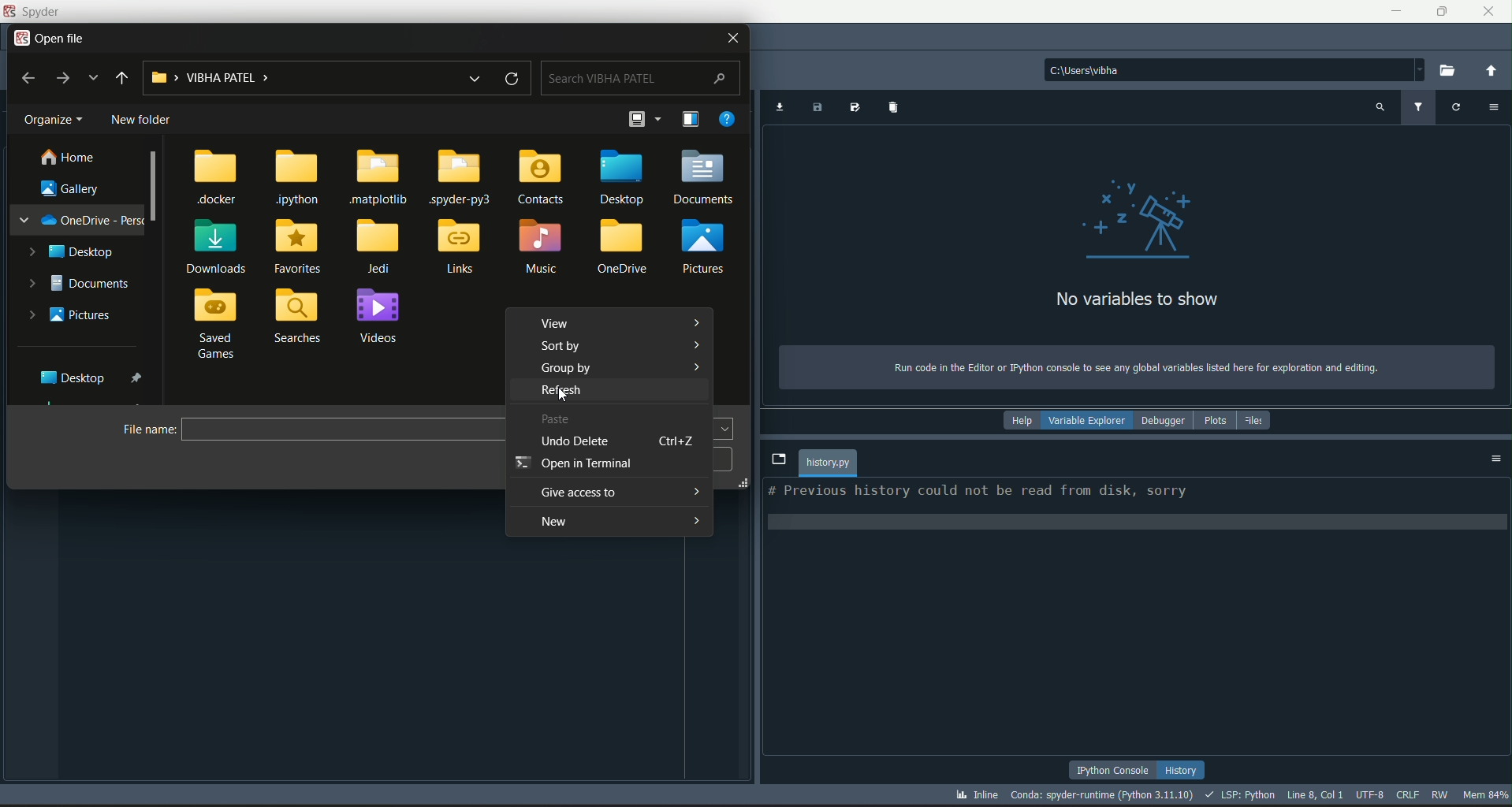 The height and width of the screenshot is (807, 1512). Describe the element at coordinates (1019, 421) in the screenshot. I see `help` at that location.